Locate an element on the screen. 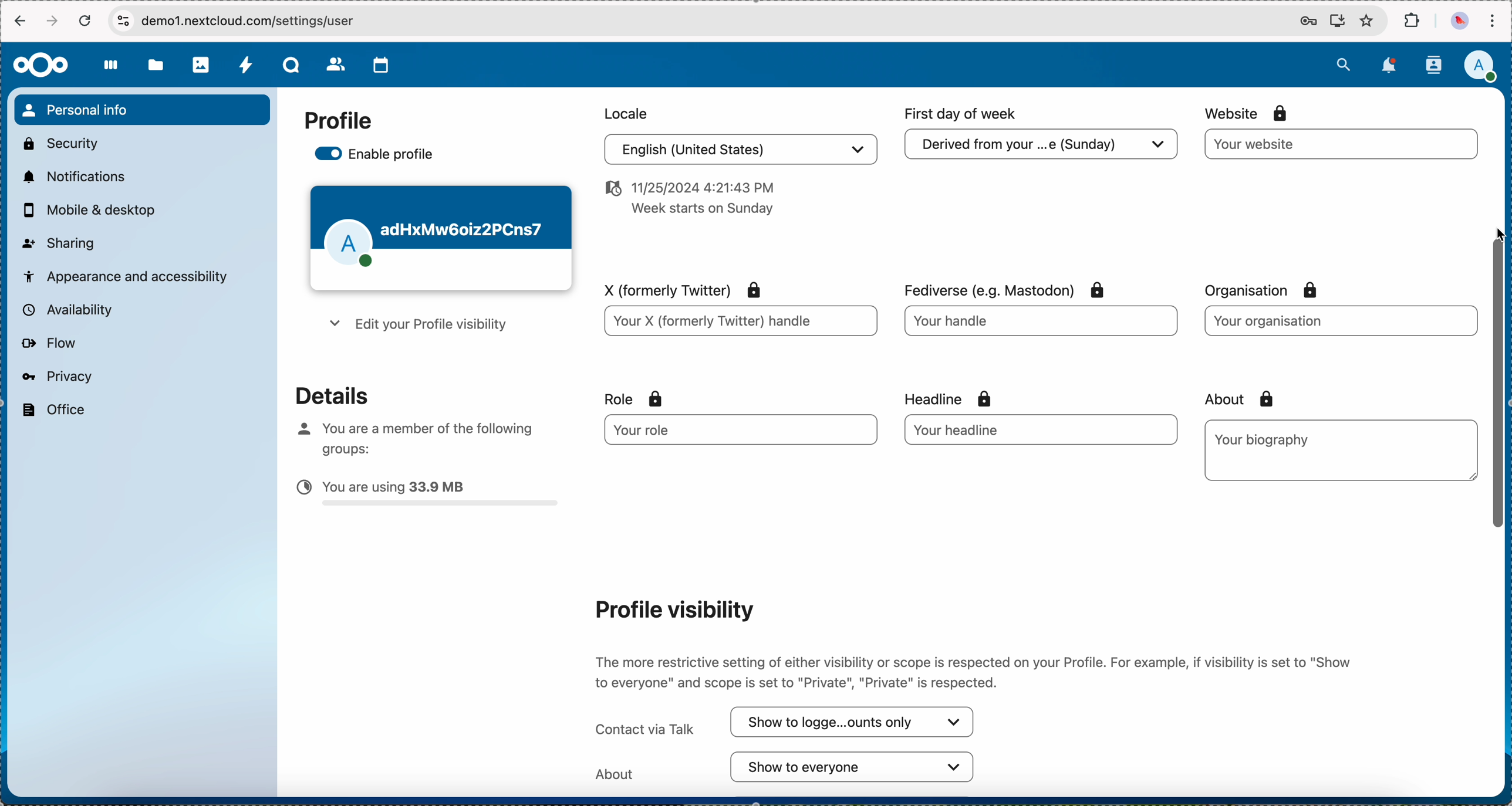  office is located at coordinates (52, 410).